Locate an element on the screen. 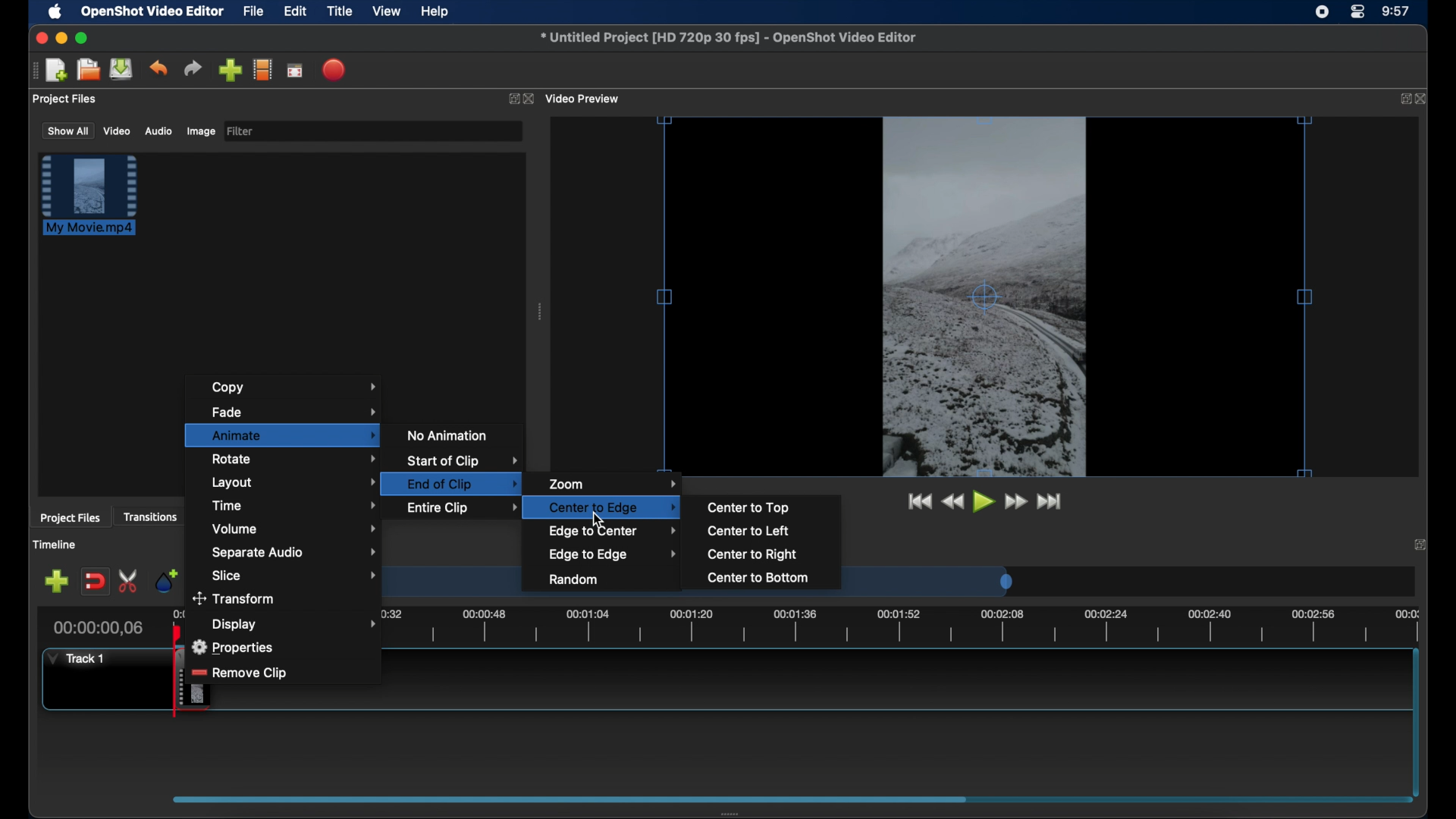 This screenshot has height=819, width=1456. random is located at coordinates (575, 580).